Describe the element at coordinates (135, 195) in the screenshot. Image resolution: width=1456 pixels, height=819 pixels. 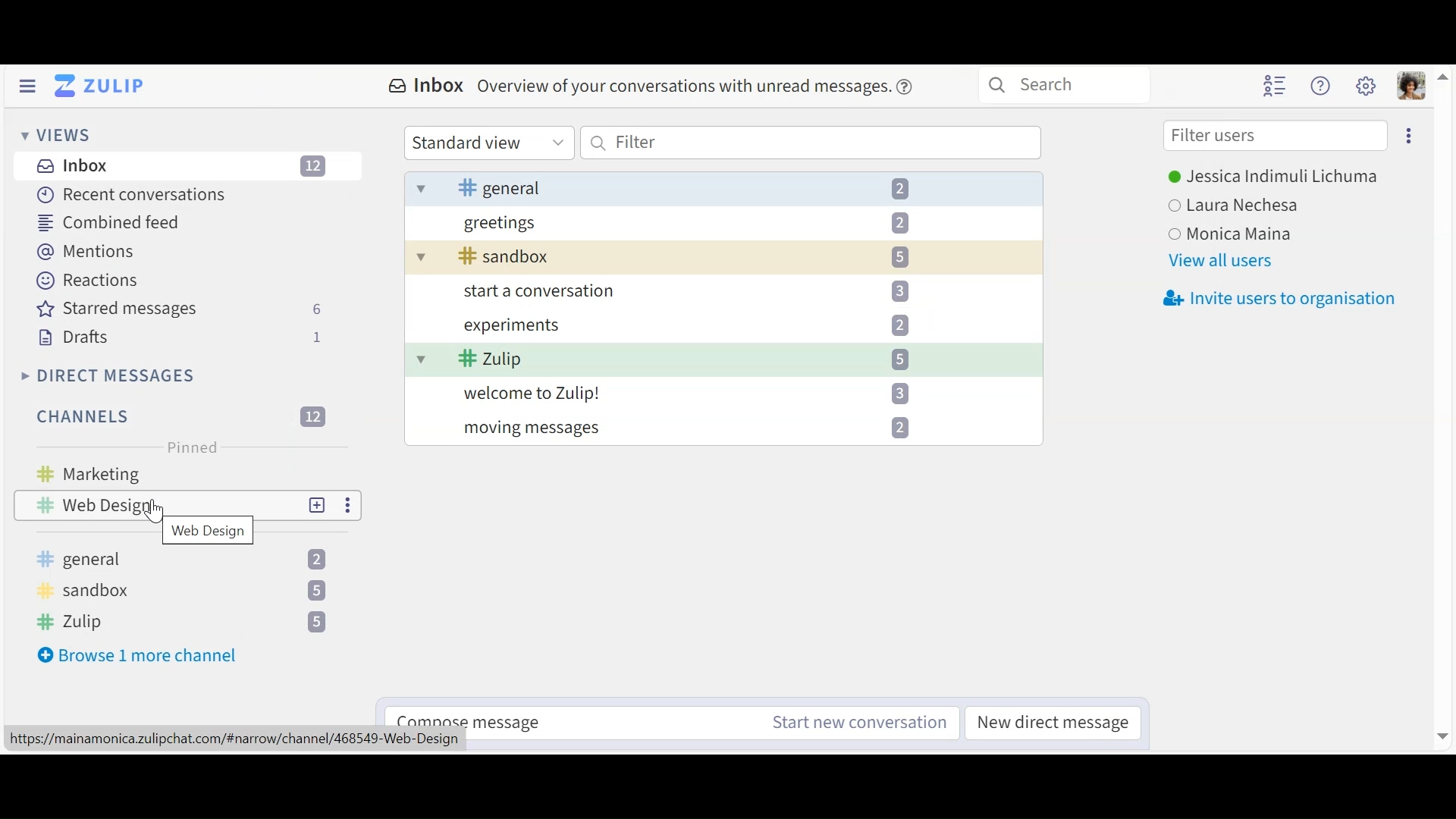
I see `Recent Conversations` at that location.